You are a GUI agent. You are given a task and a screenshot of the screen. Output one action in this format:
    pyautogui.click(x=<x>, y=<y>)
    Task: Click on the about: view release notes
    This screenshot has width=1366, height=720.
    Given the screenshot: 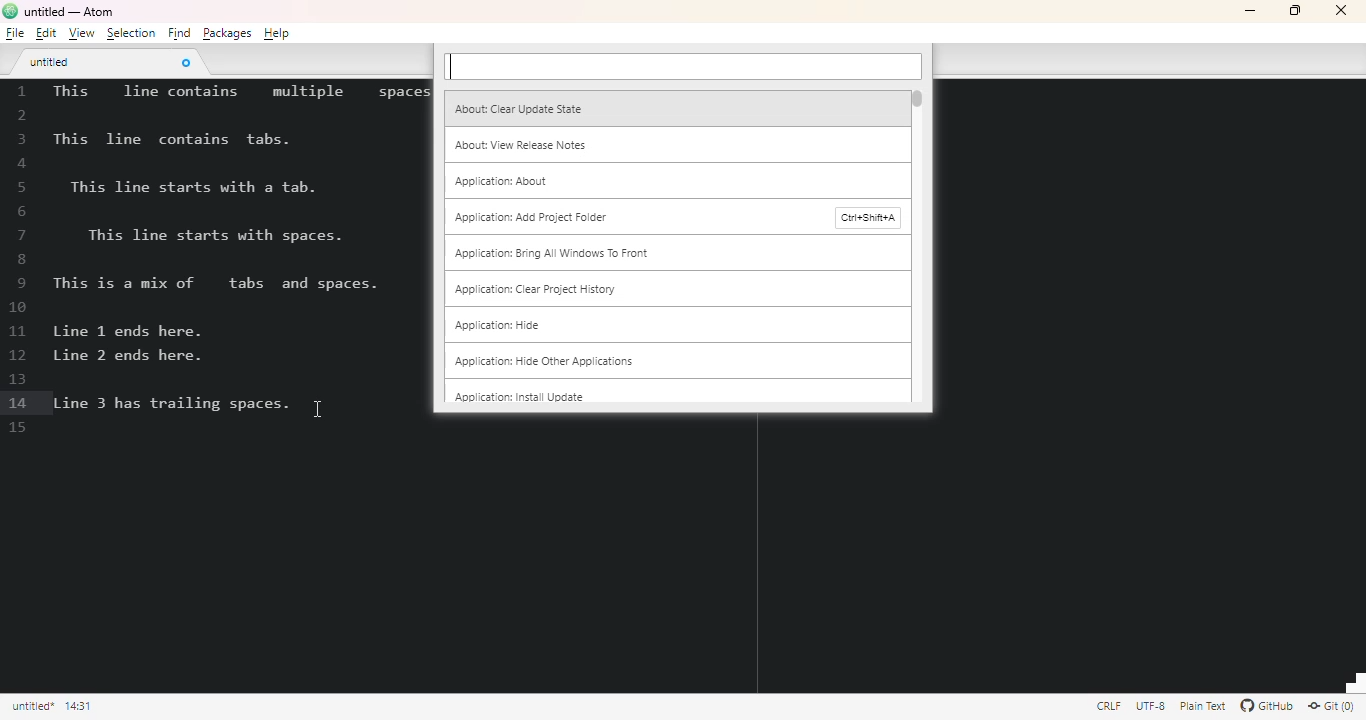 What is the action you would take?
    pyautogui.click(x=522, y=145)
    